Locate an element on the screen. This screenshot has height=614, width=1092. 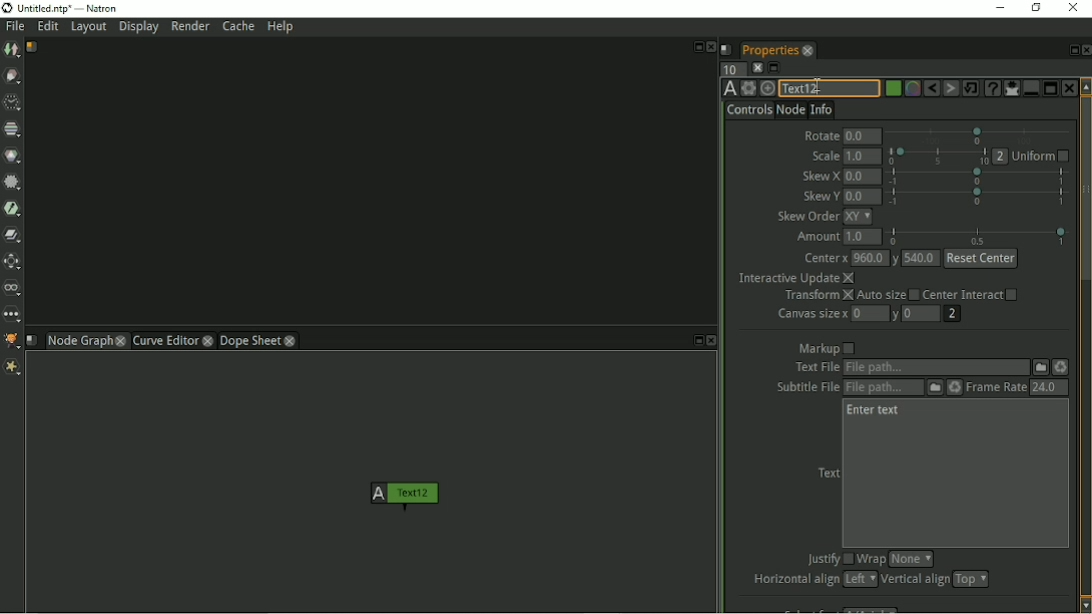
selection bar is located at coordinates (938, 156).